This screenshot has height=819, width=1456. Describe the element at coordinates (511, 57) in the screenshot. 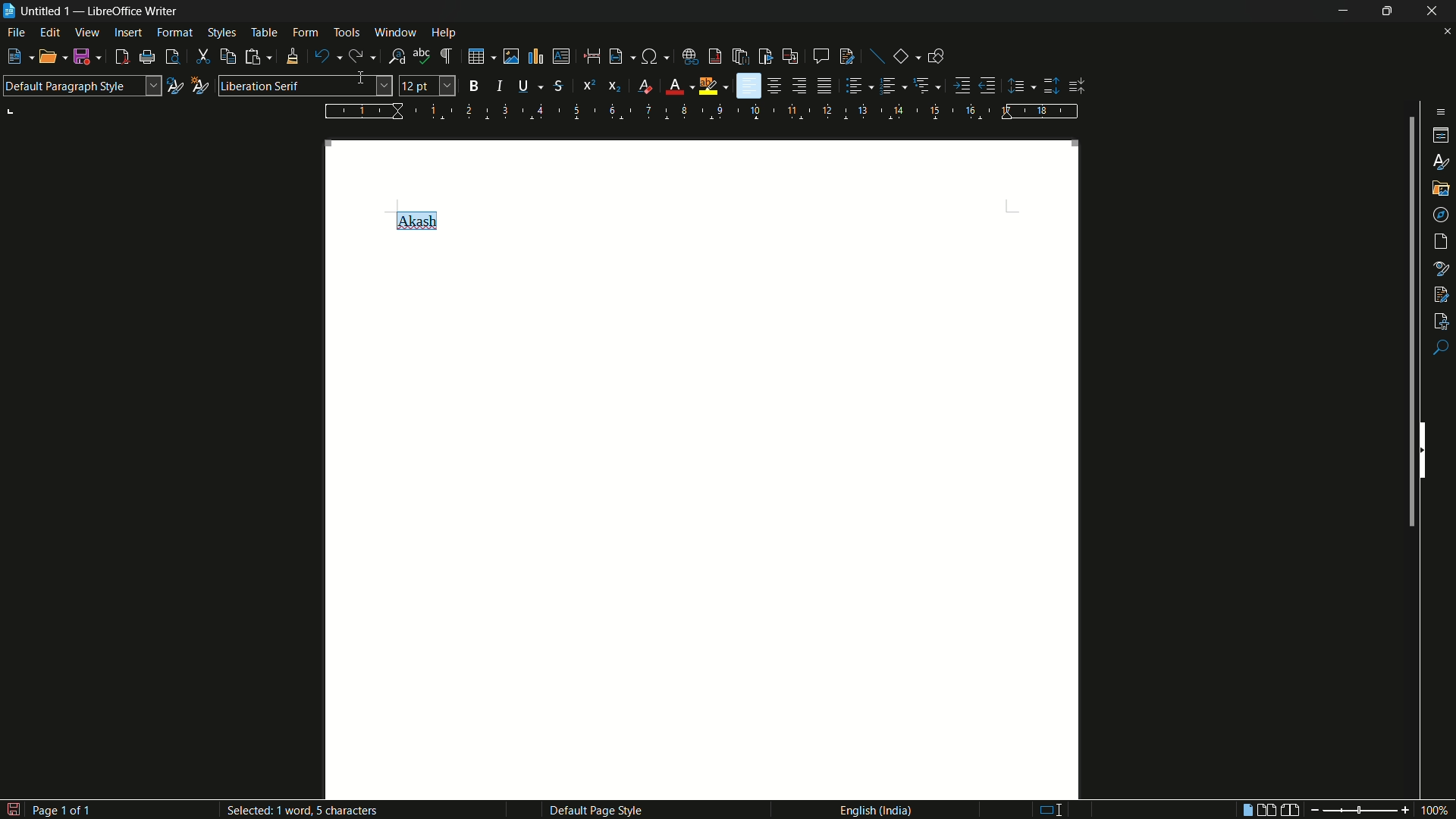

I see `insert image` at that location.